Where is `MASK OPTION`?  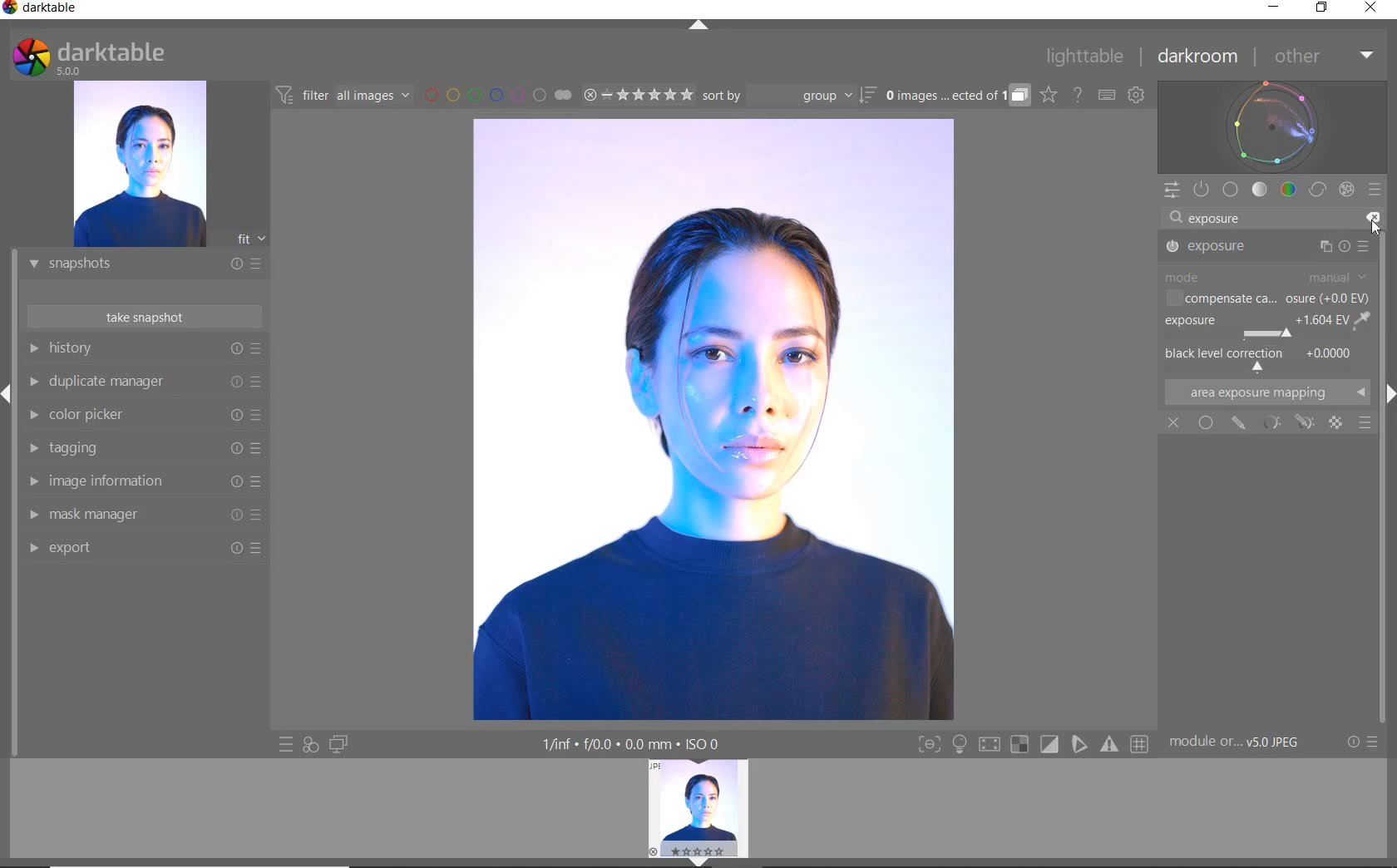
MASK OPTION is located at coordinates (1304, 424).